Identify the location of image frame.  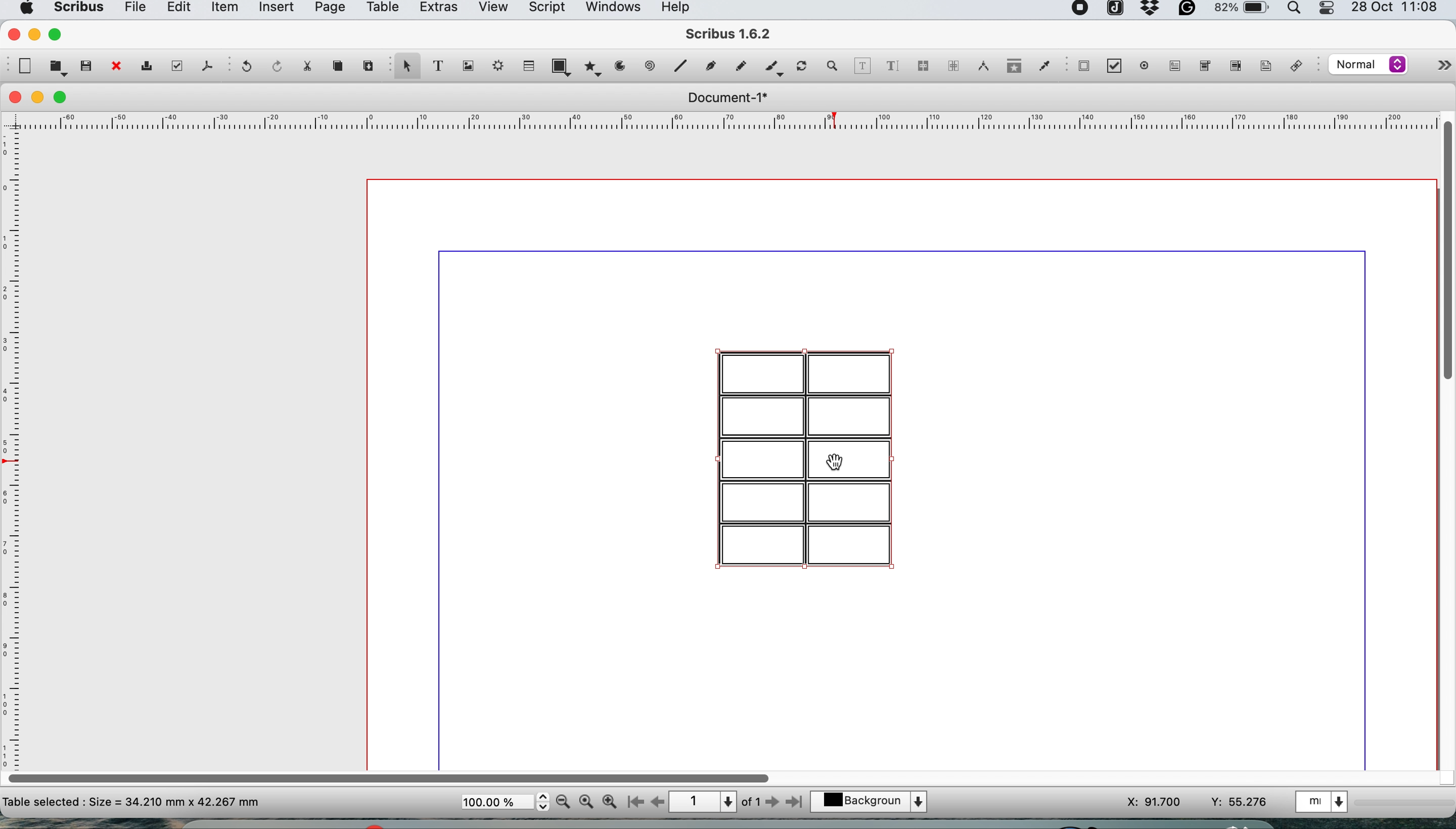
(466, 66).